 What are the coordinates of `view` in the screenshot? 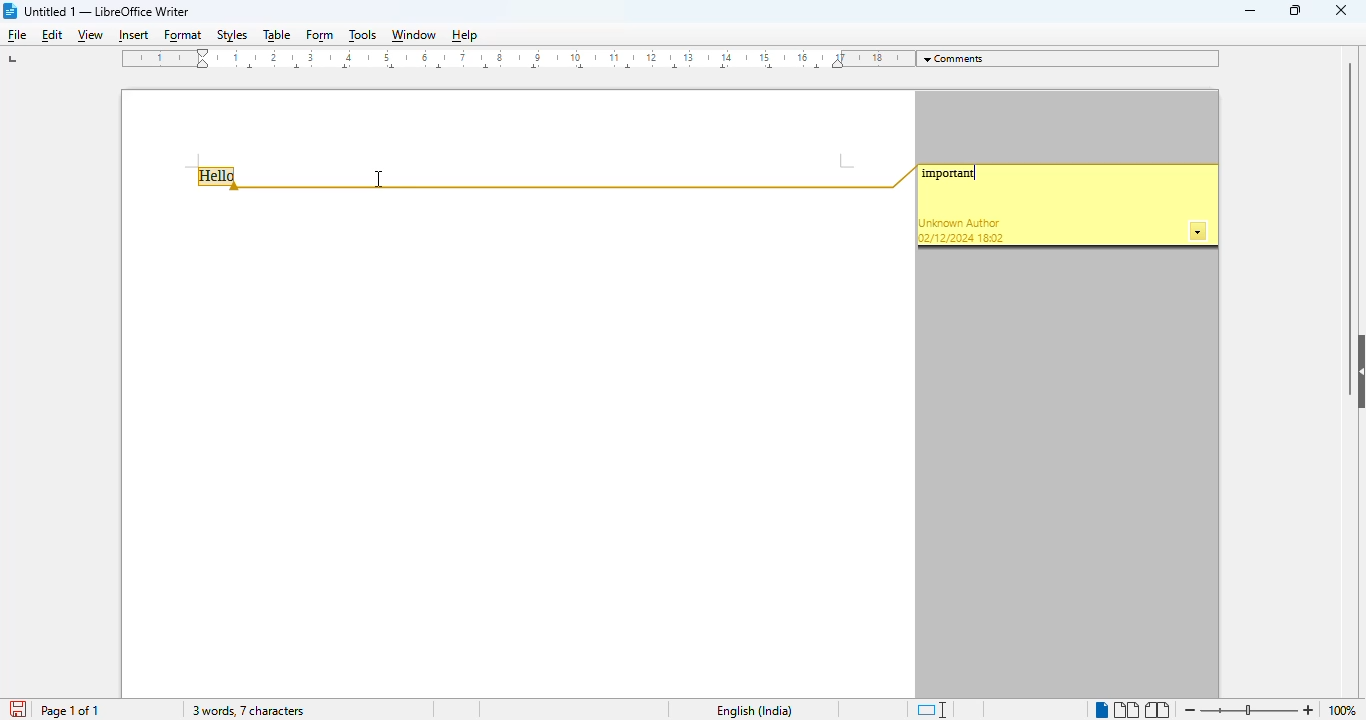 It's located at (90, 37).